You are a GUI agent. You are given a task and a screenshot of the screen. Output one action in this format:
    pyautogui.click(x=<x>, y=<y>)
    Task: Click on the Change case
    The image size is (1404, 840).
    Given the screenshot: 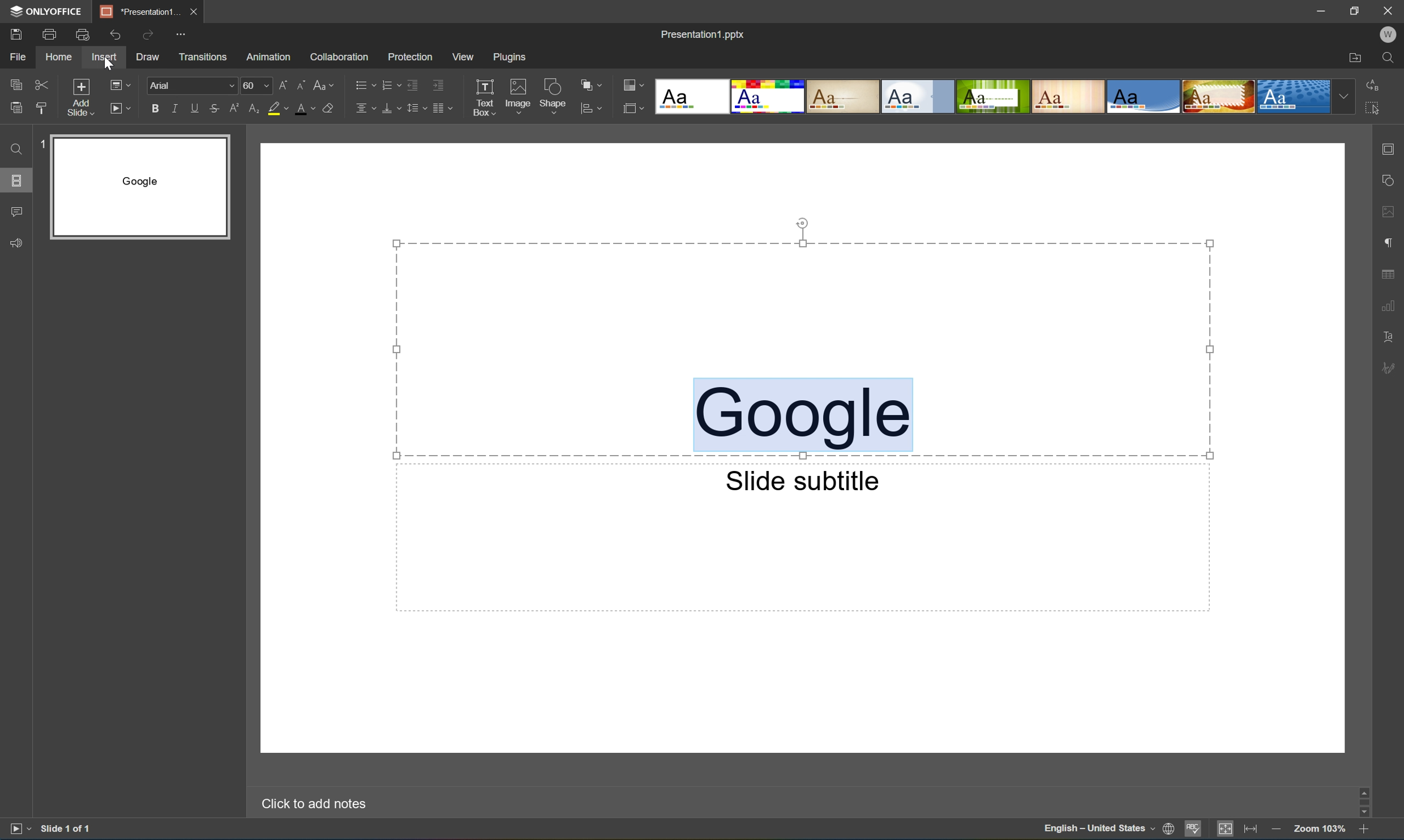 What is the action you would take?
    pyautogui.click(x=328, y=86)
    